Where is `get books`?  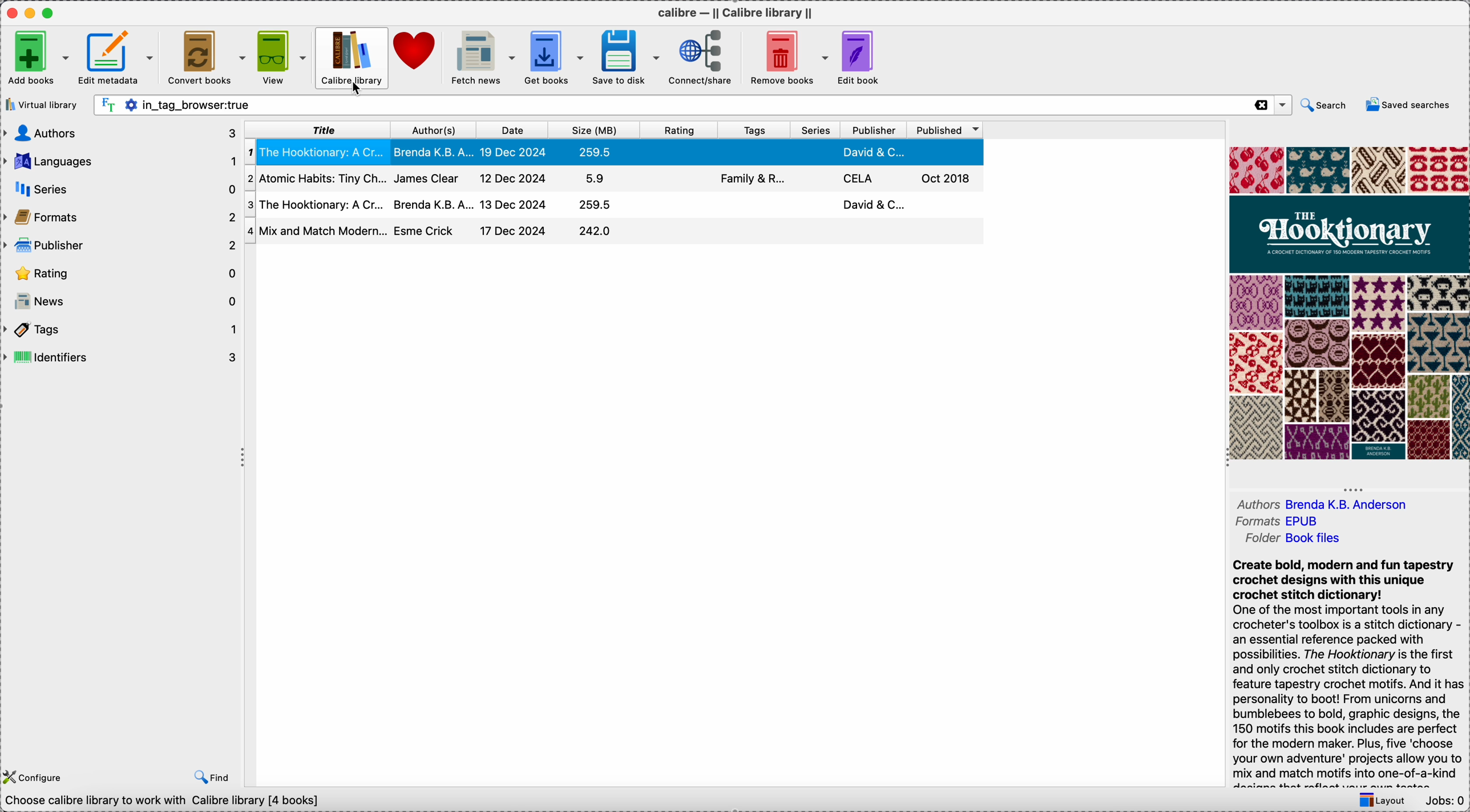 get books is located at coordinates (555, 56).